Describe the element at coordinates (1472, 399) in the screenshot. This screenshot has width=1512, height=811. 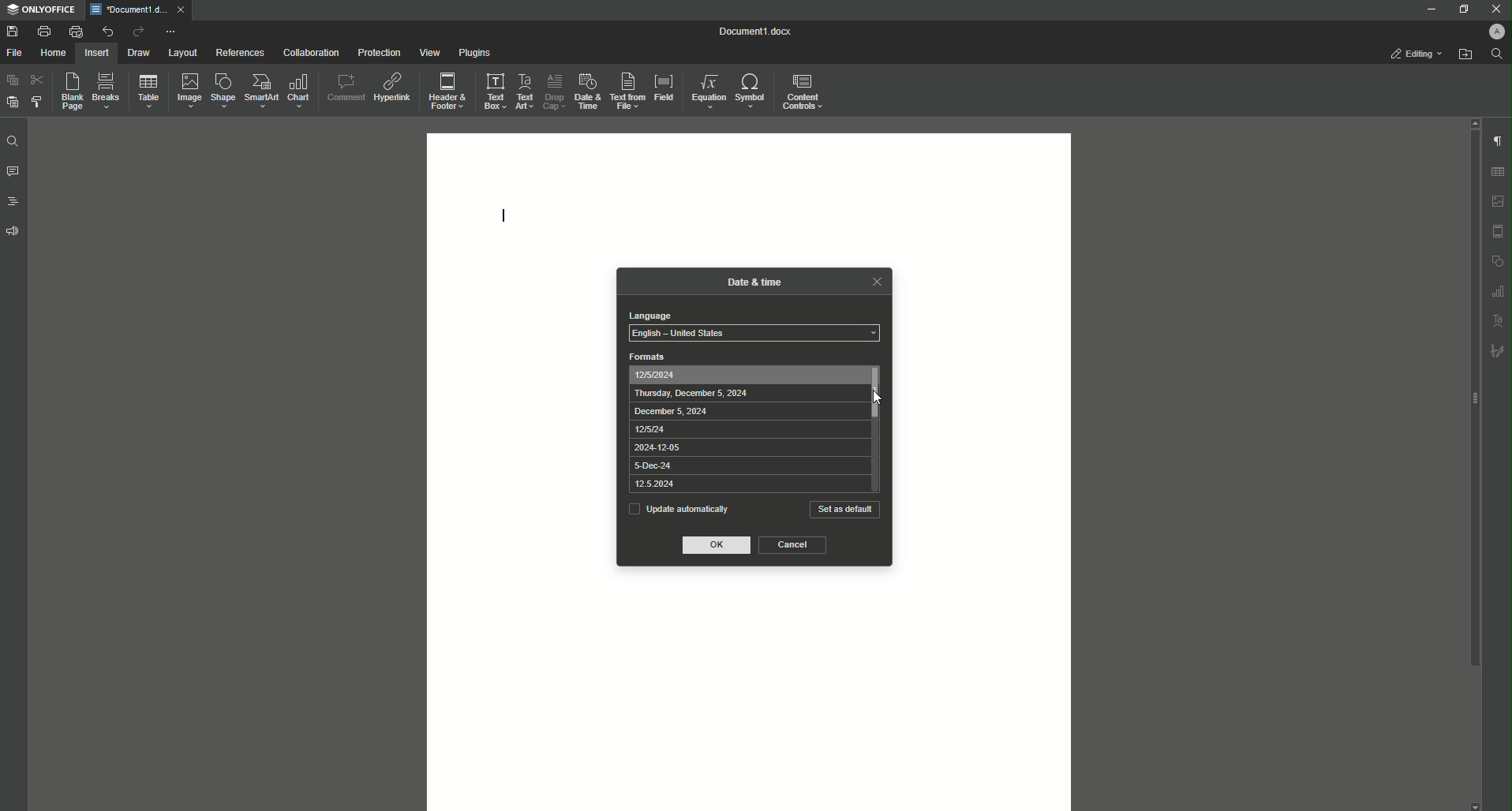
I see `scroll bar` at that location.